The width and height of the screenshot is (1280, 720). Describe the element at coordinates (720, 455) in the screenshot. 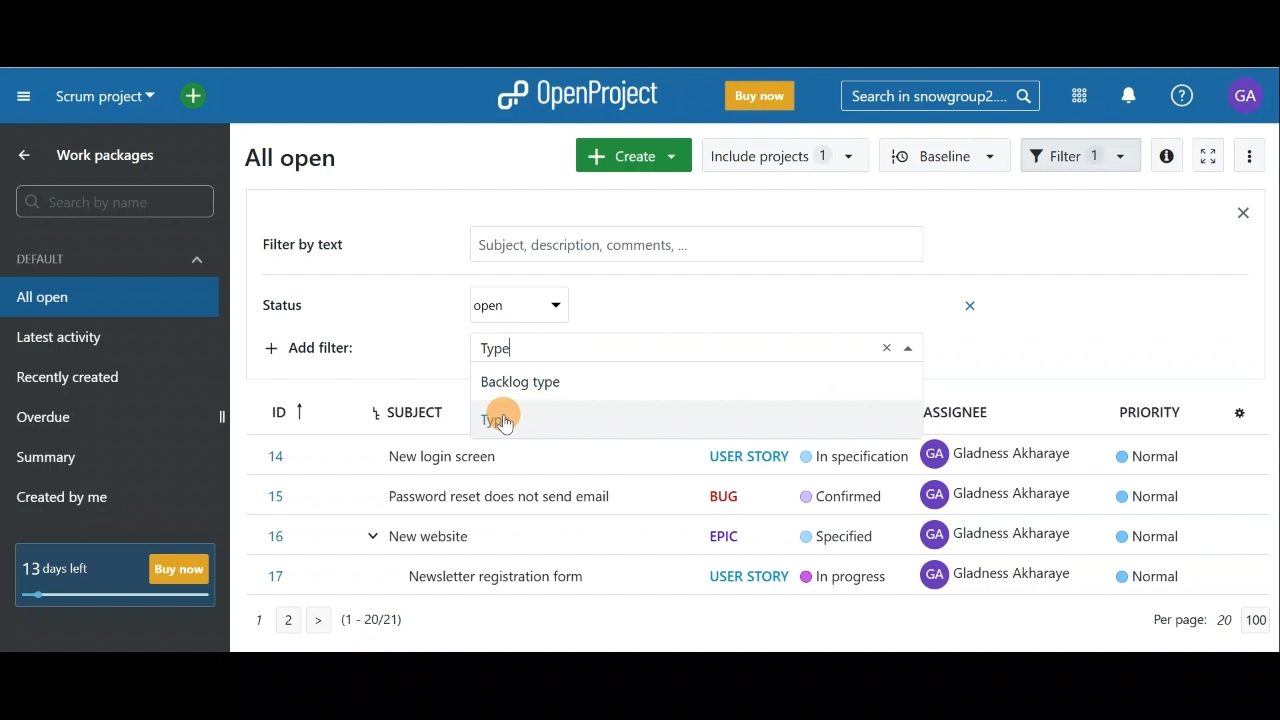

I see `Item 5` at that location.